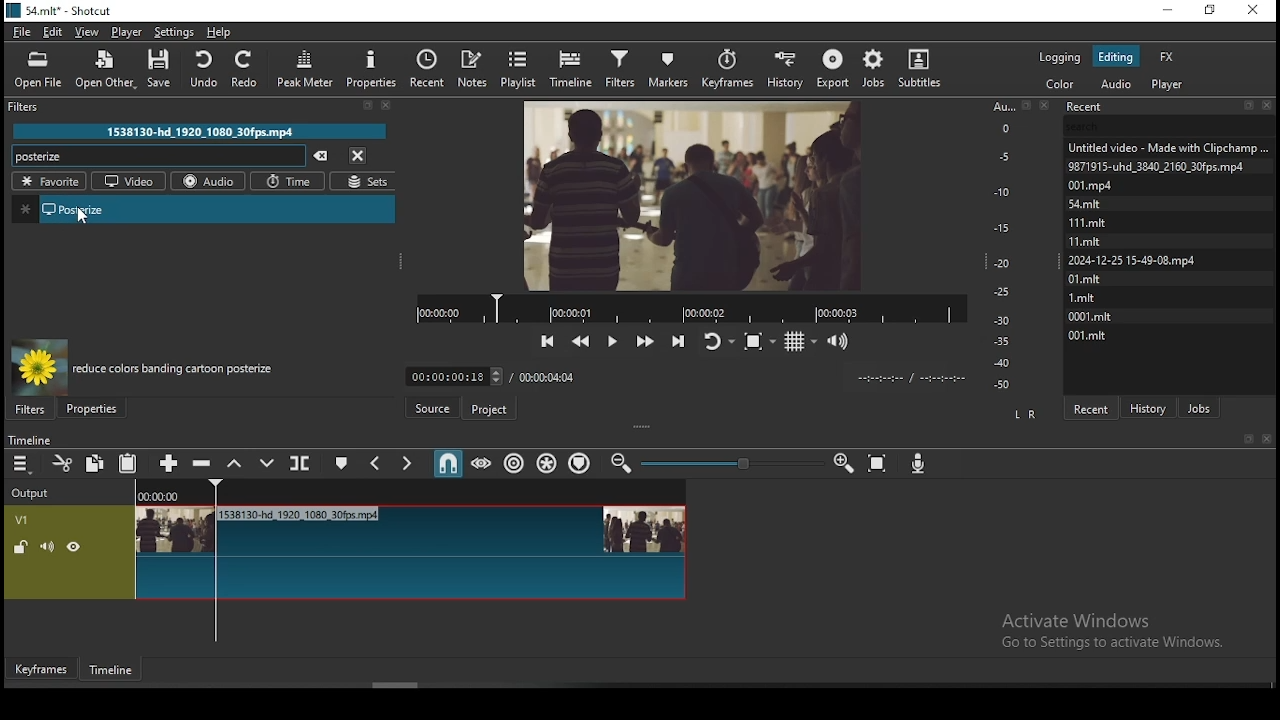 The height and width of the screenshot is (720, 1280). Describe the element at coordinates (543, 340) in the screenshot. I see `skip to the previous point` at that location.